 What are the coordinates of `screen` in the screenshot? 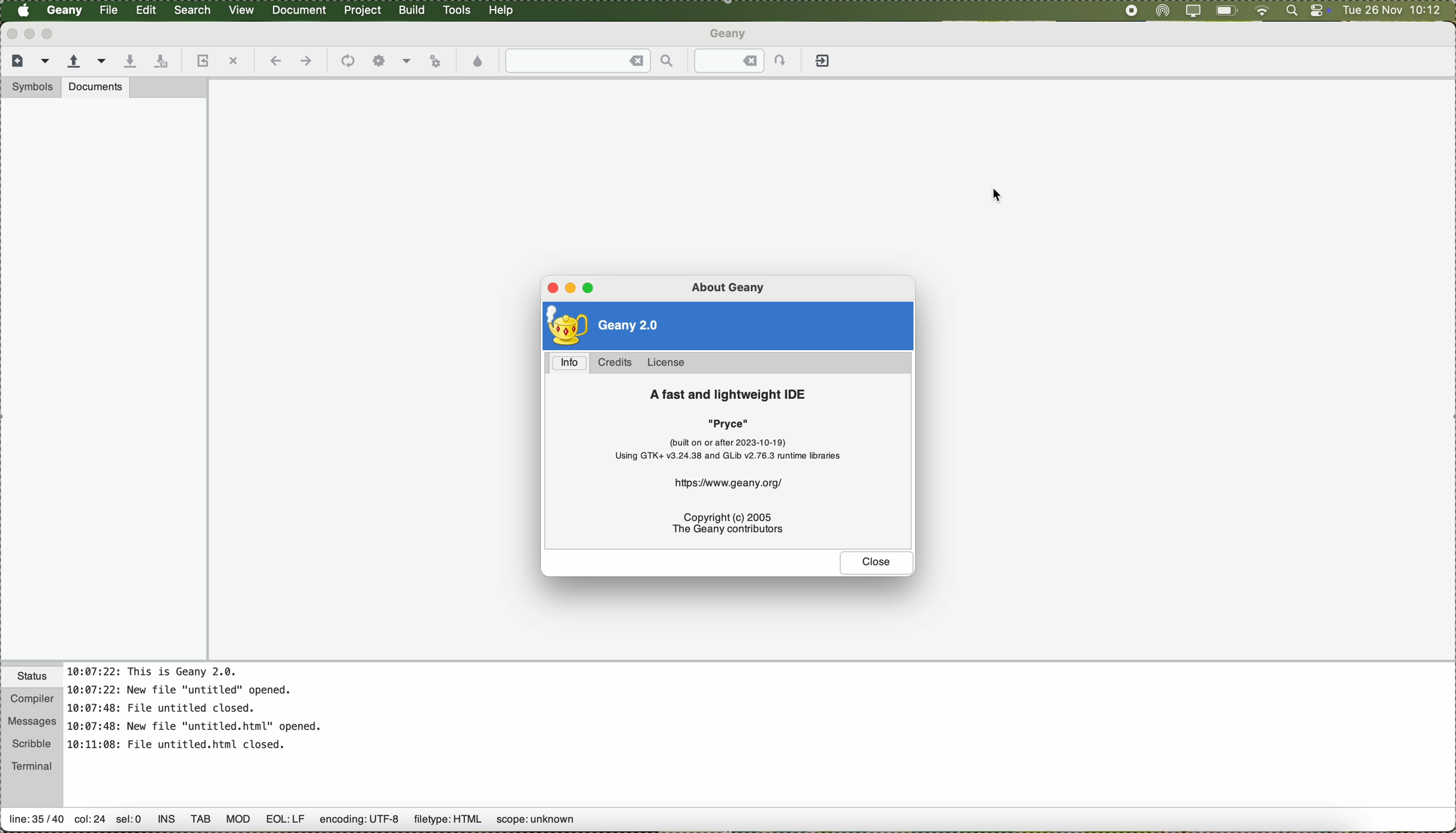 It's located at (1191, 11).